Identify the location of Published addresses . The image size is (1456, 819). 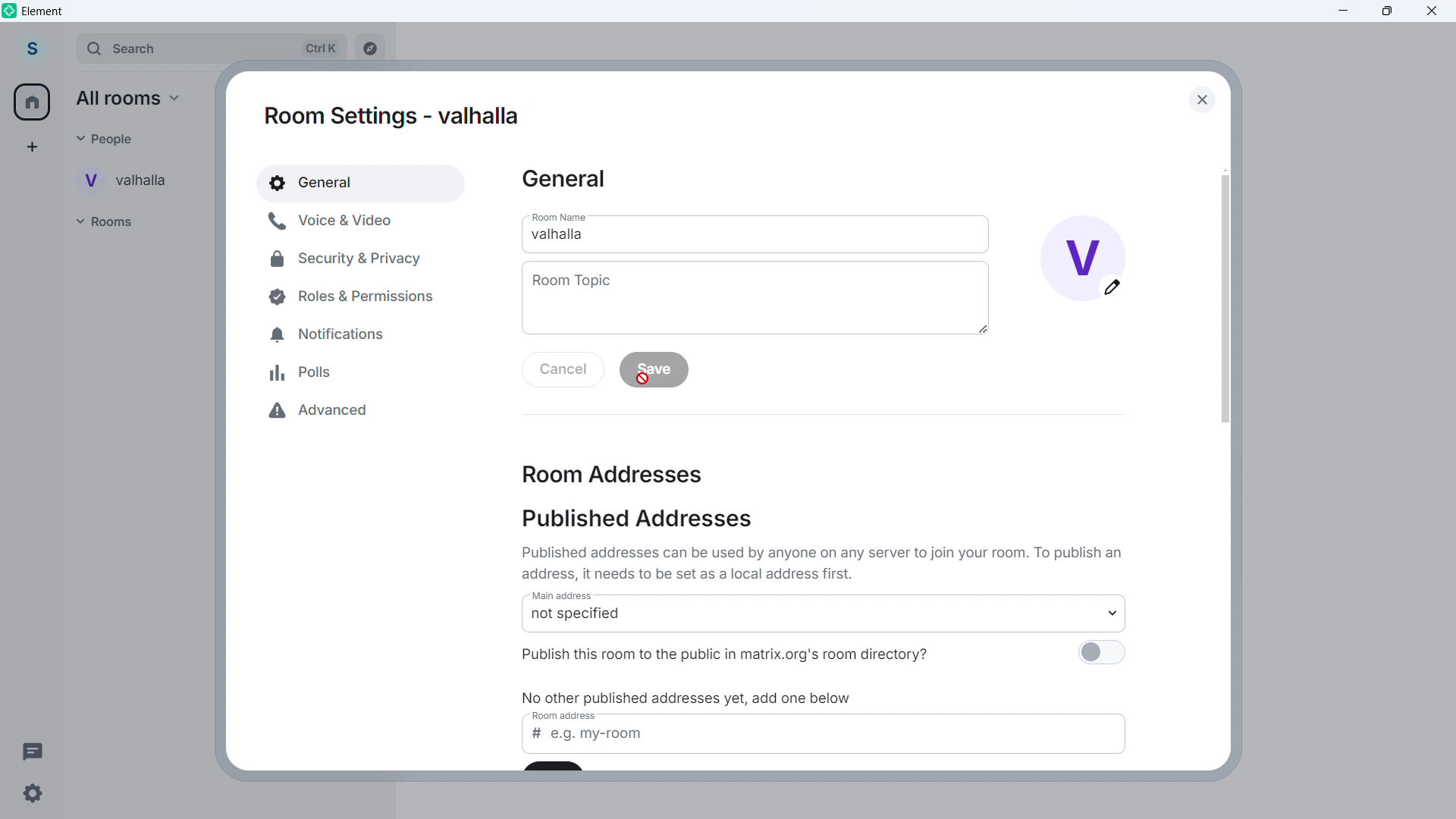
(636, 519).